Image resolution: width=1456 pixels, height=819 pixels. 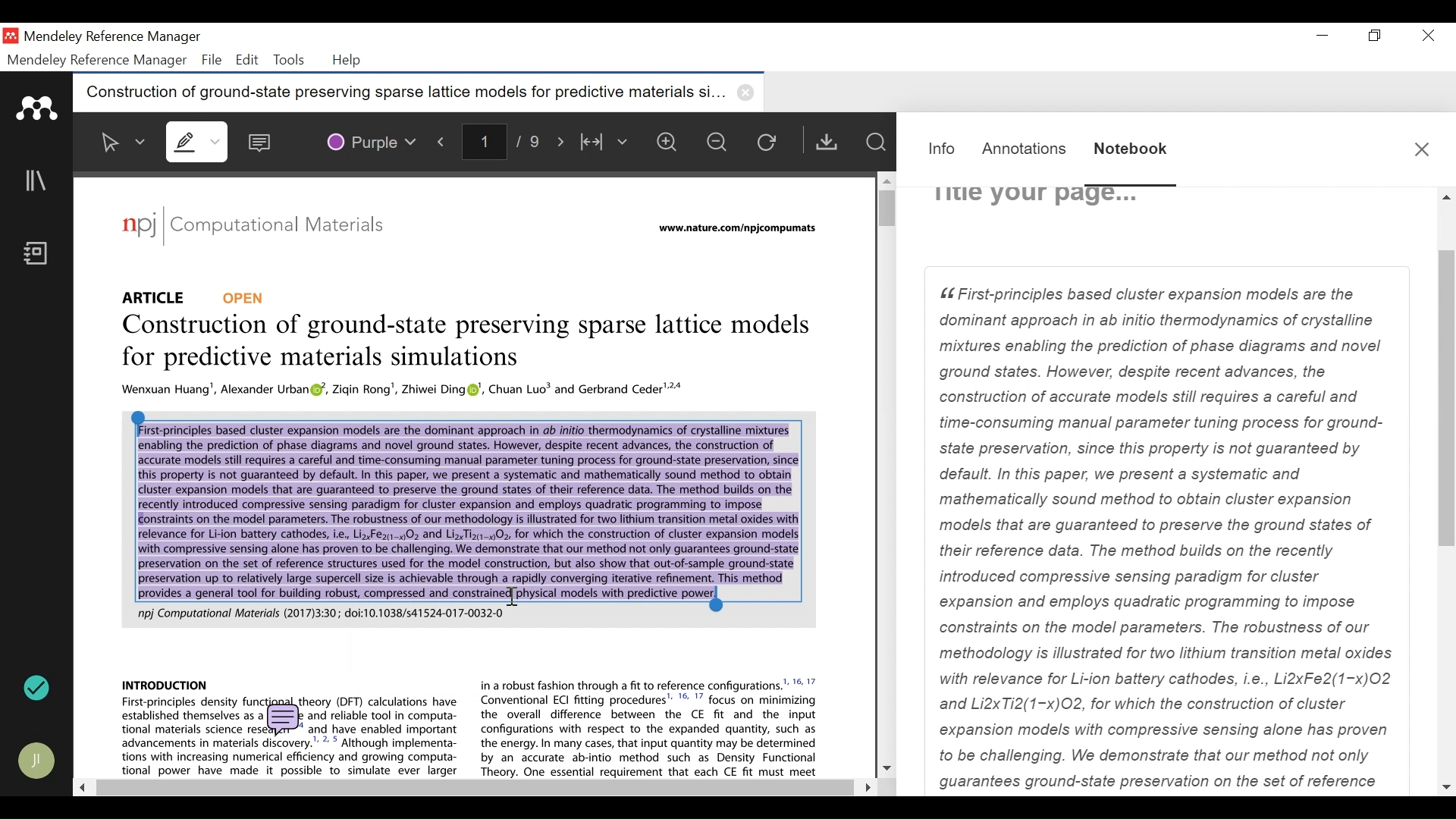 I want to click on PDF Context, so click(x=651, y=726).